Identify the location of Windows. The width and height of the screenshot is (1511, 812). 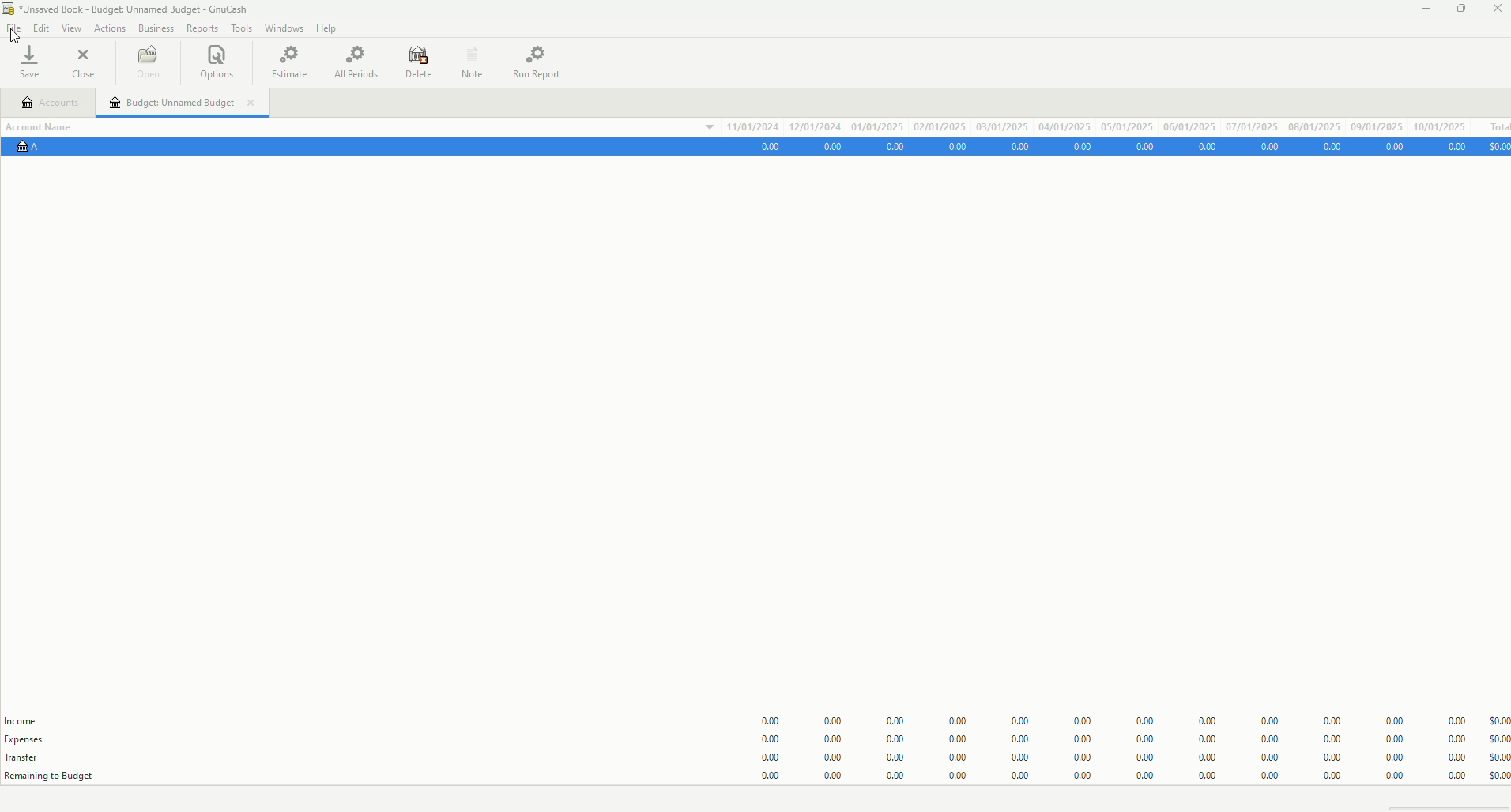
(281, 28).